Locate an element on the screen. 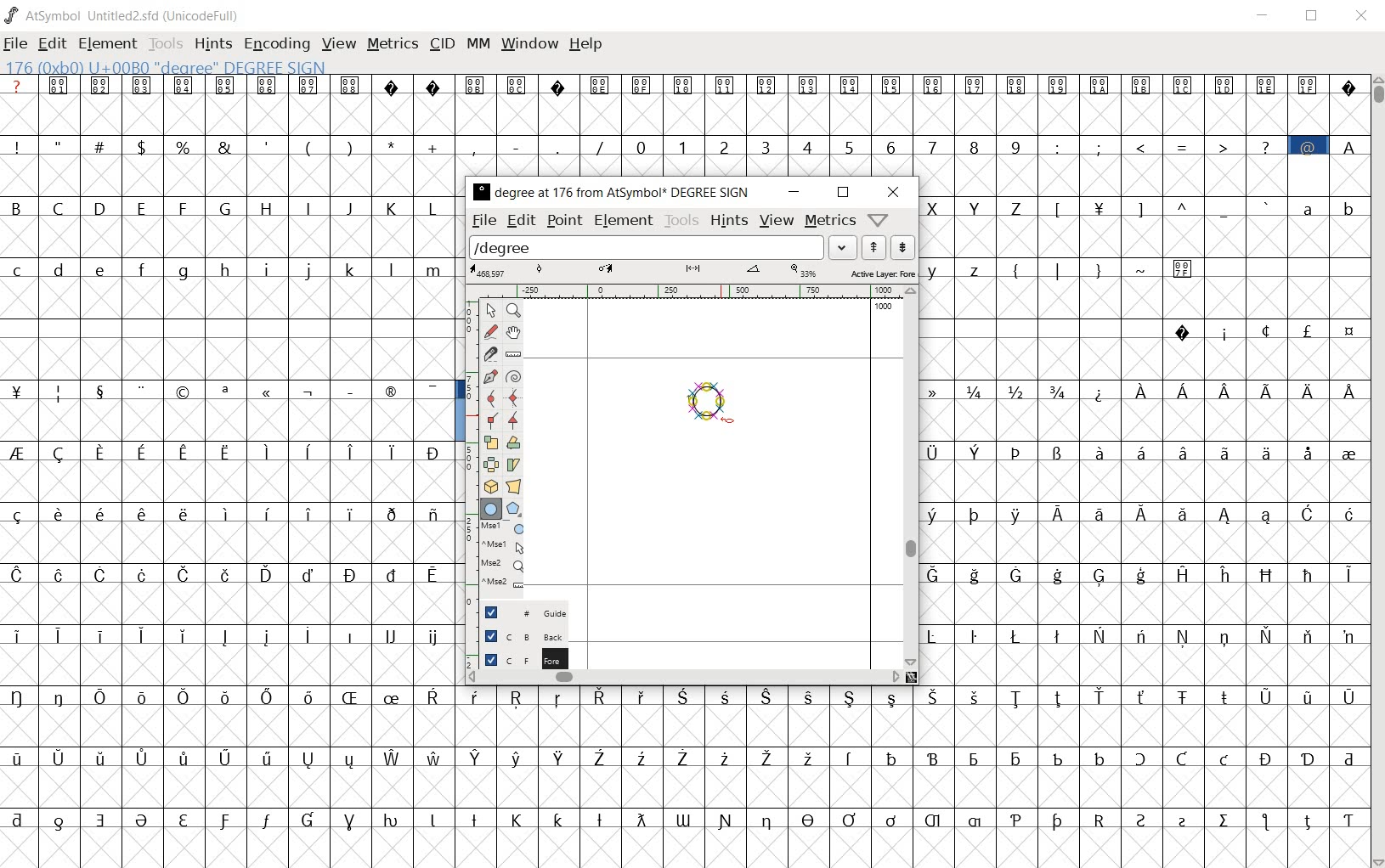  empty glyph slot is located at coordinates (229, 786).